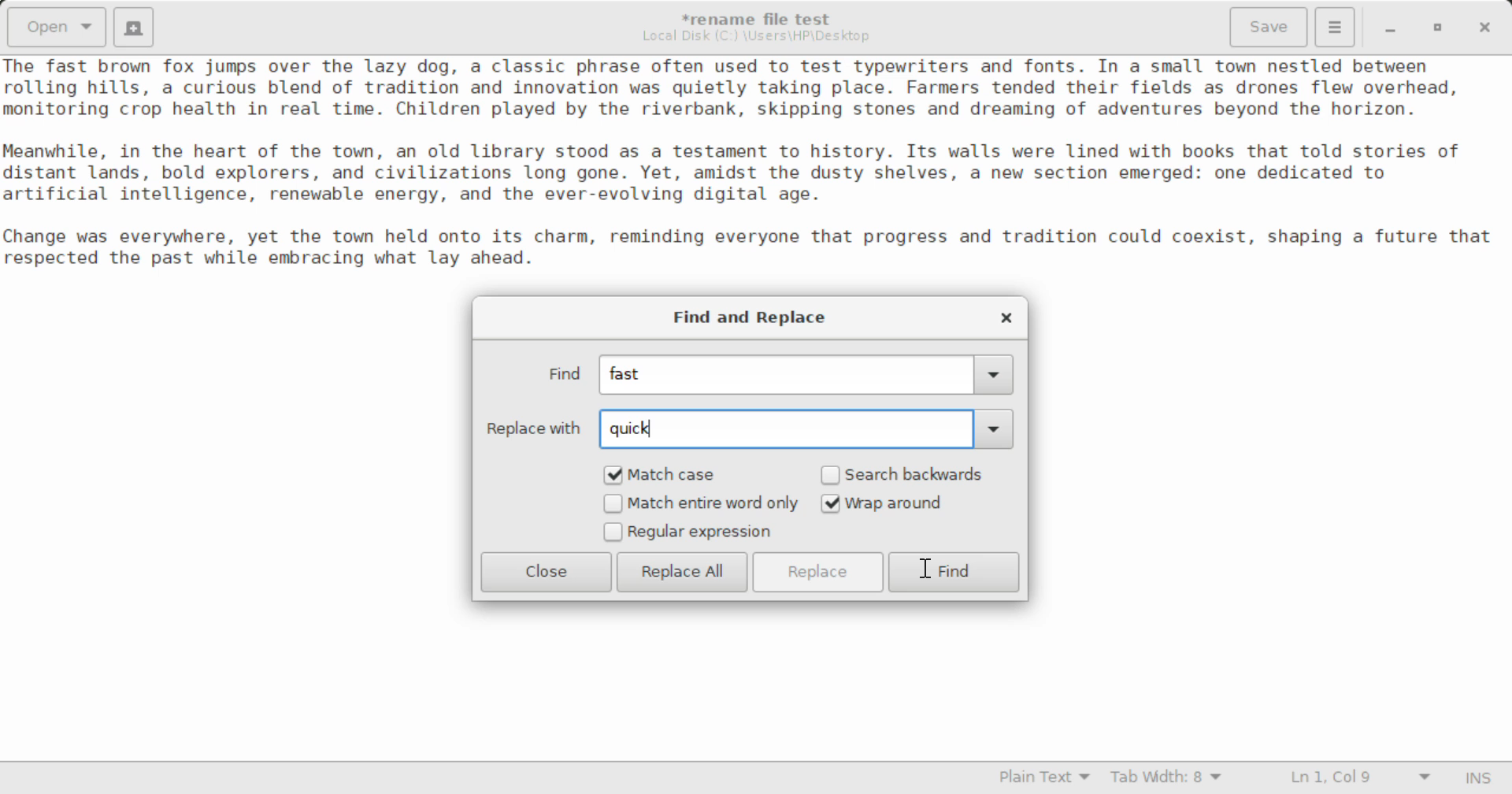  I want to click on Replace with: quick, so click(747, 429).